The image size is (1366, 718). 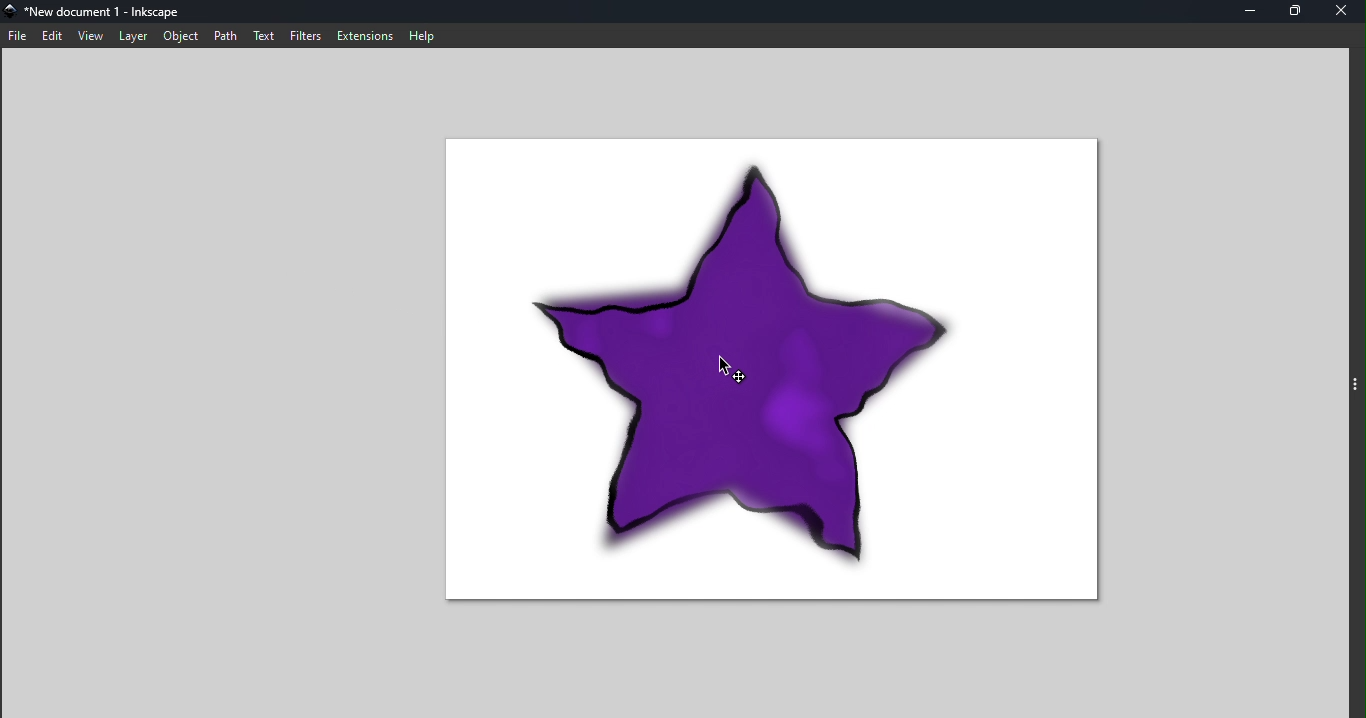 I want to click on View, so click(x=91, y=36).